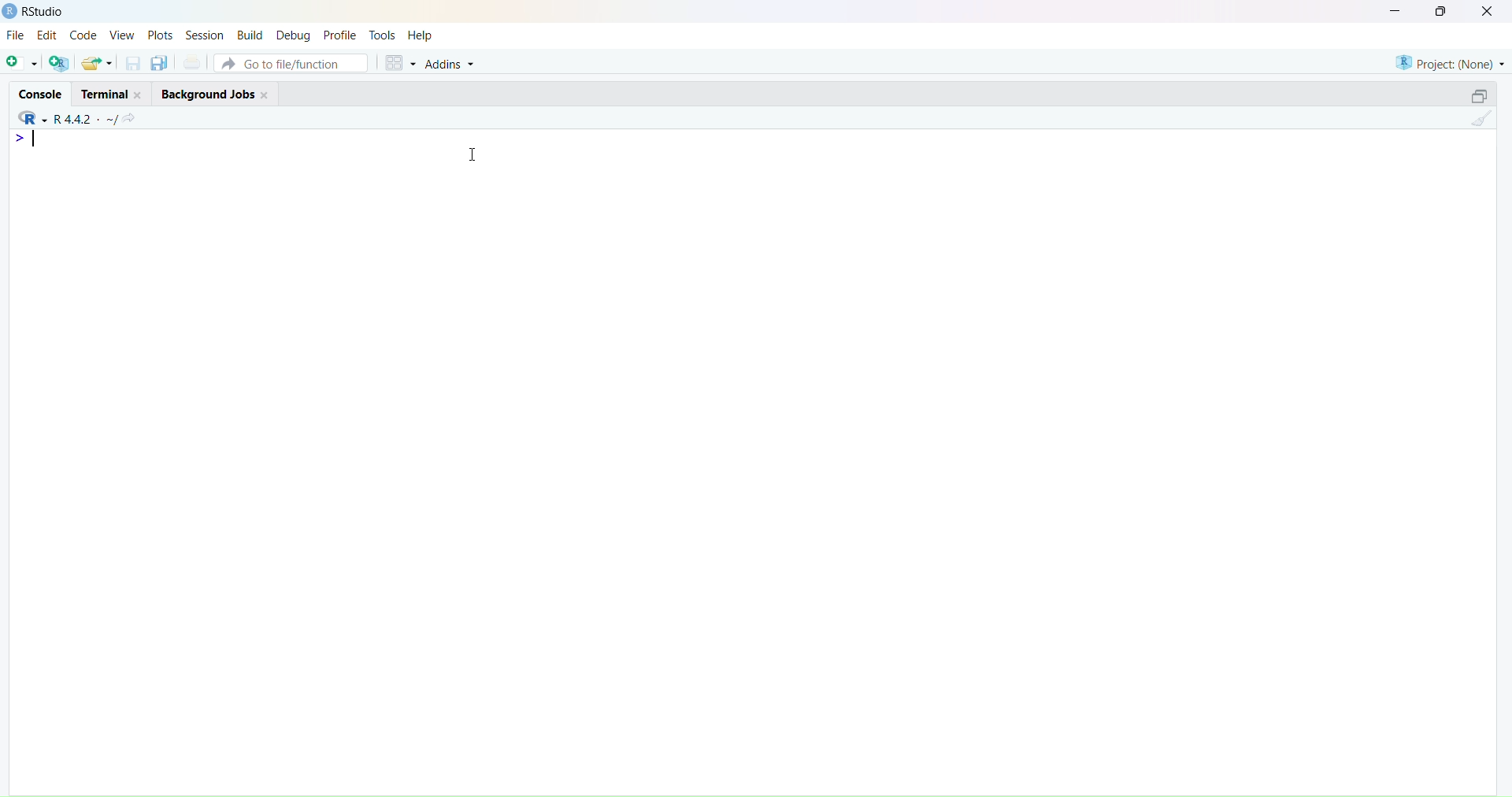 This screenshot has width=1512, height=797. I want to click on clean, so click(1482, 117).